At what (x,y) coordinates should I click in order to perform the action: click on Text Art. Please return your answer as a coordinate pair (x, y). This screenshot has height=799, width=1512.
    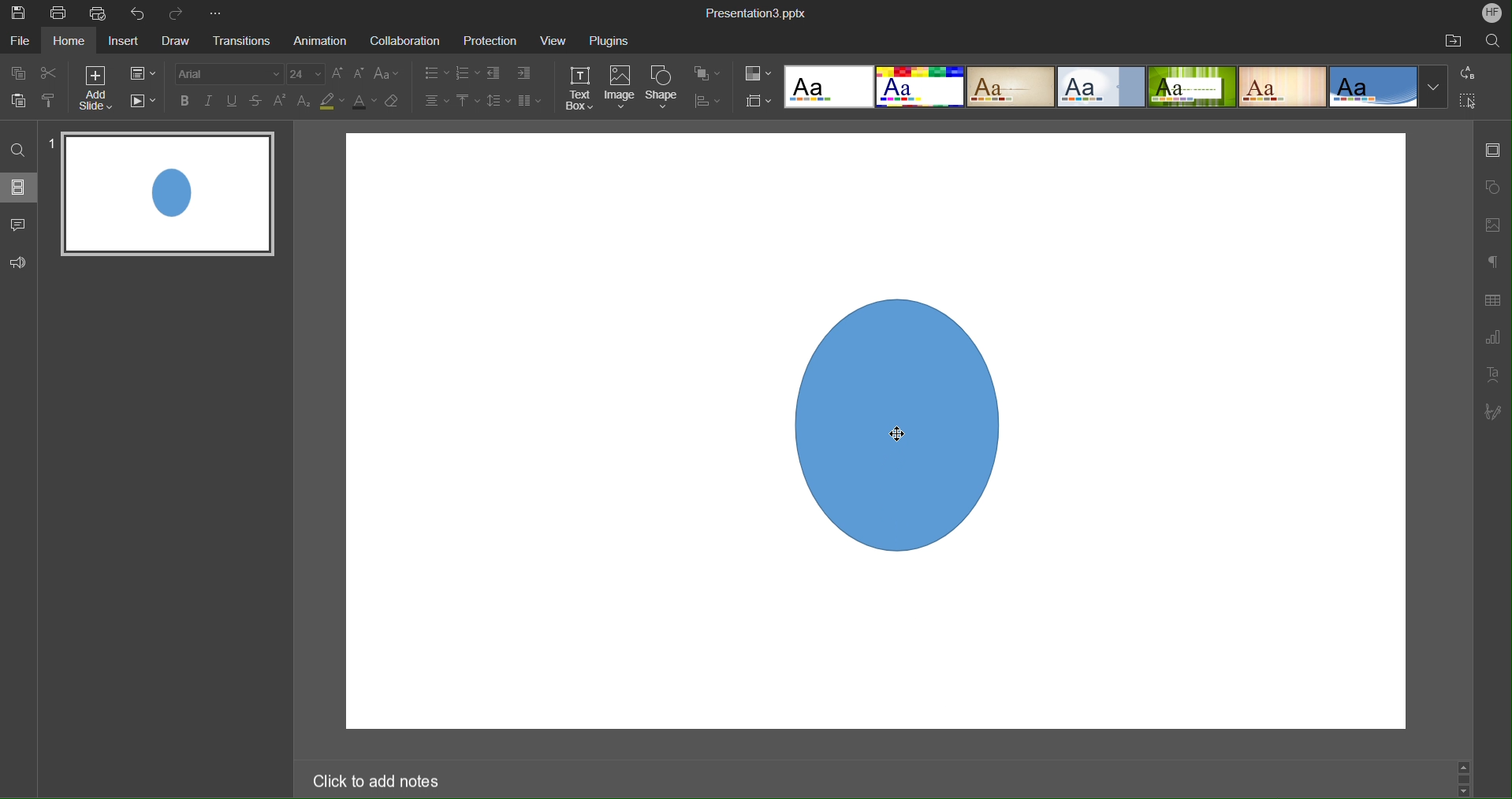
    Looking at the image, I should click on (1494, 376).